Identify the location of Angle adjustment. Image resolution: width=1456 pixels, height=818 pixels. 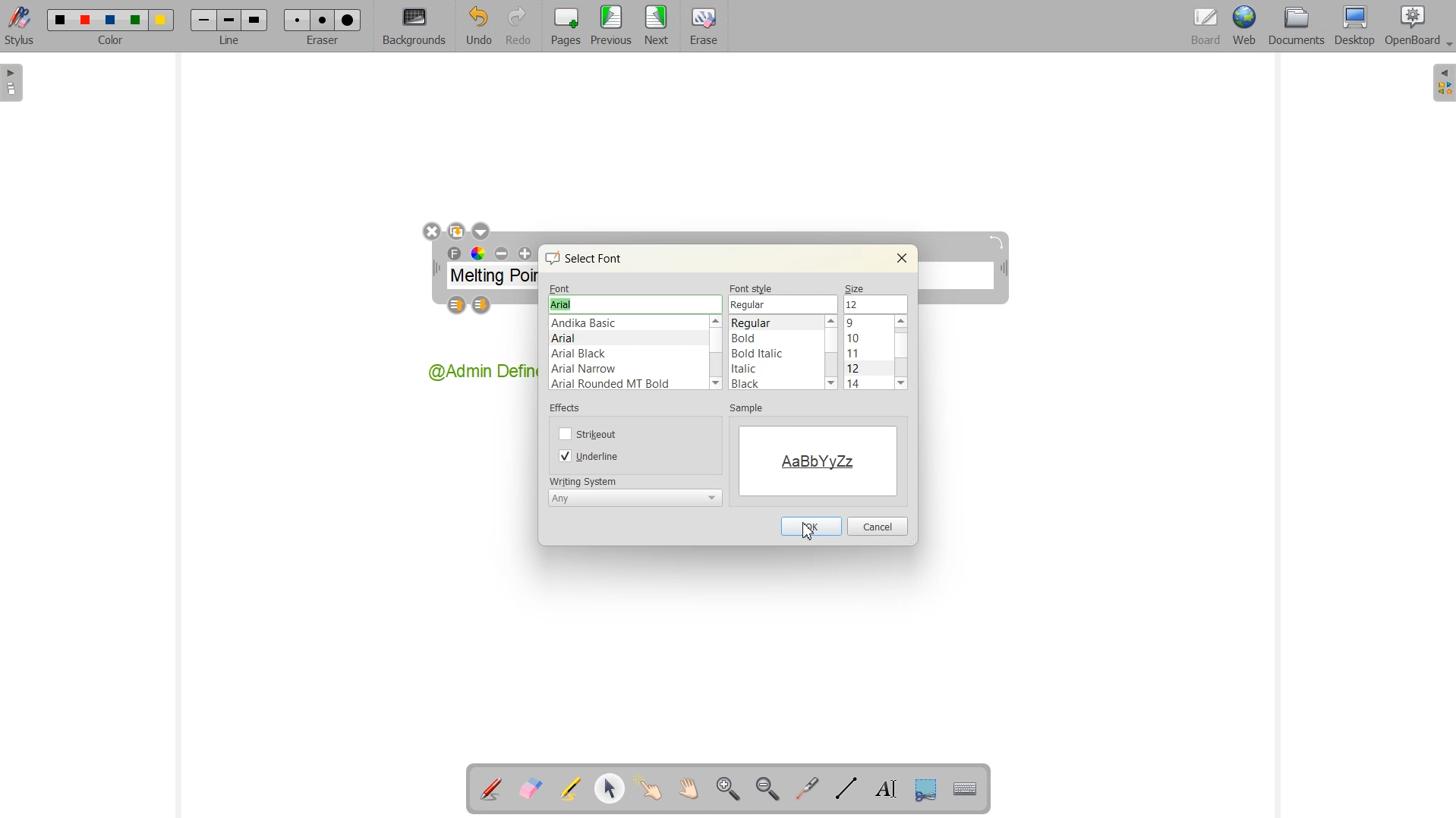
(998, 242).